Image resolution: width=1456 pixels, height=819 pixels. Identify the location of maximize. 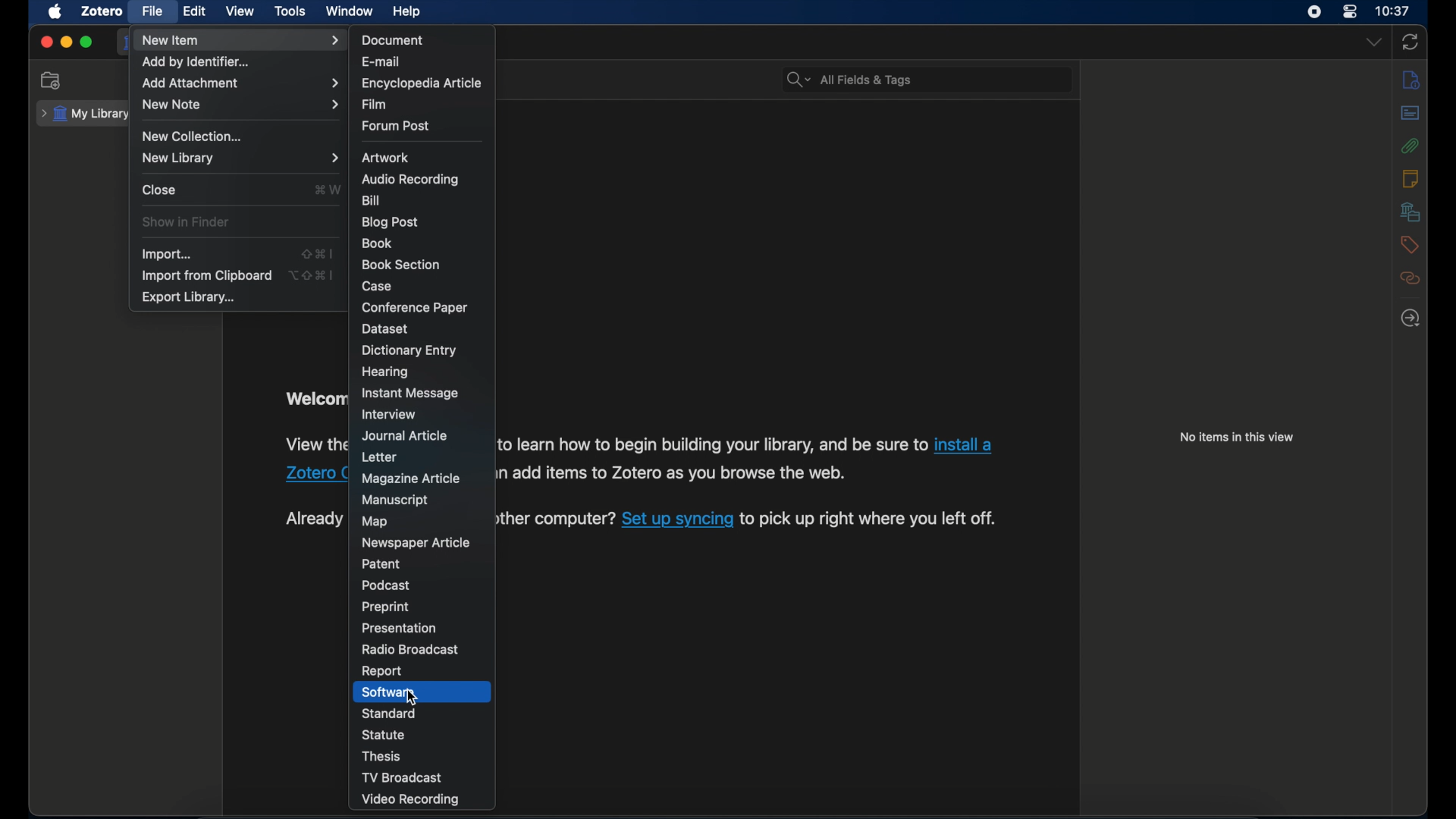
(87, 43).